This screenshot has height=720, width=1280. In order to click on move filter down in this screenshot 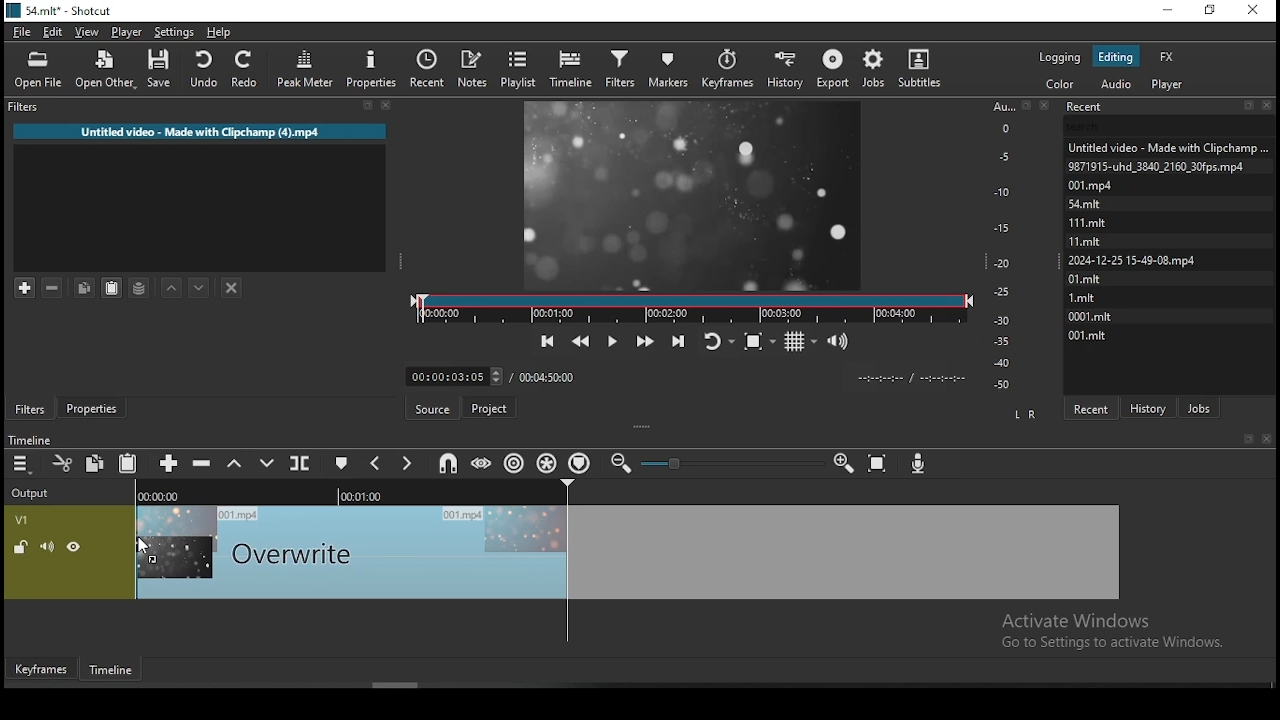, I will do `click(196, 285)`.